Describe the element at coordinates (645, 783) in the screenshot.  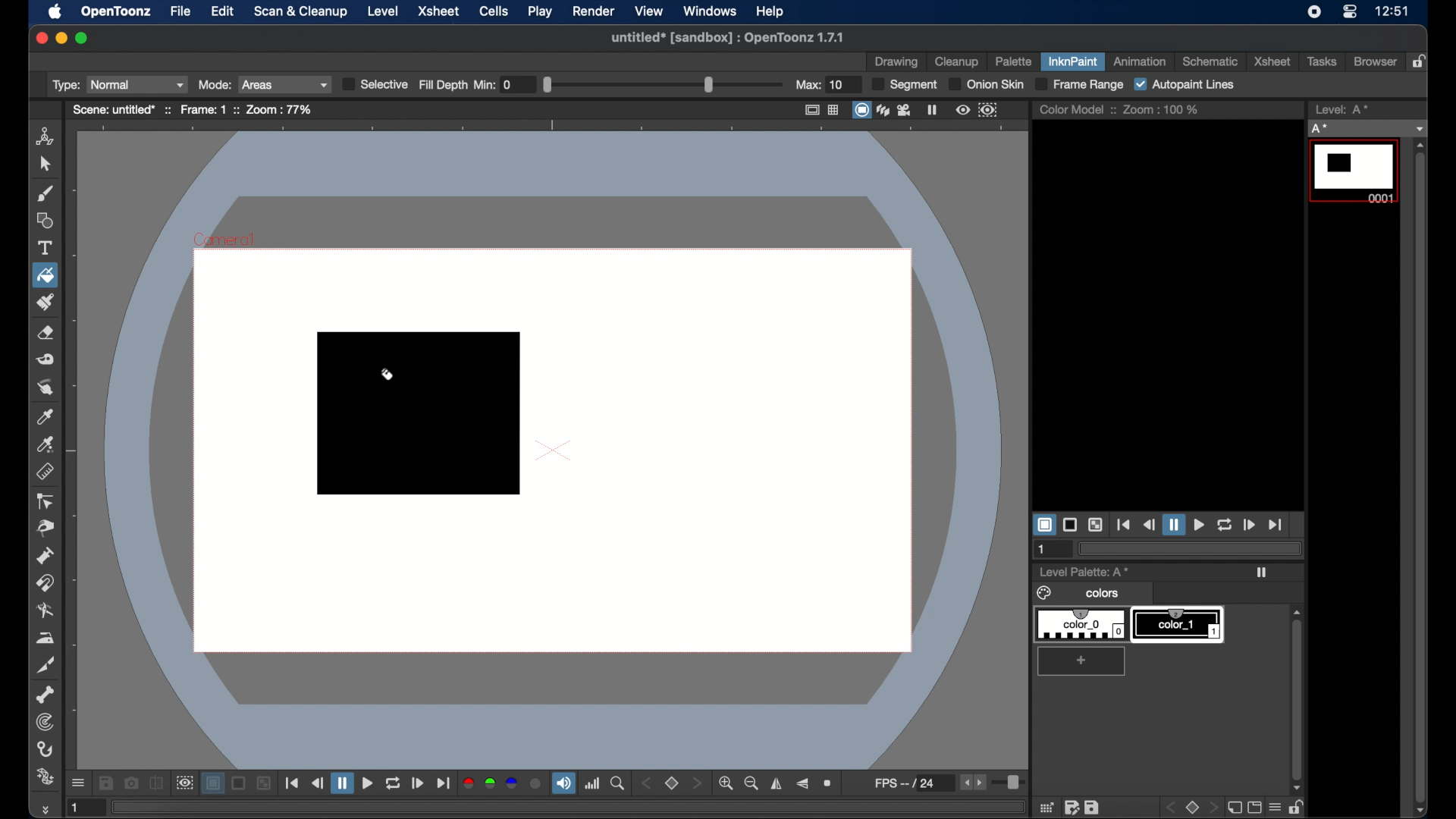
I see `stepper button` at that location.